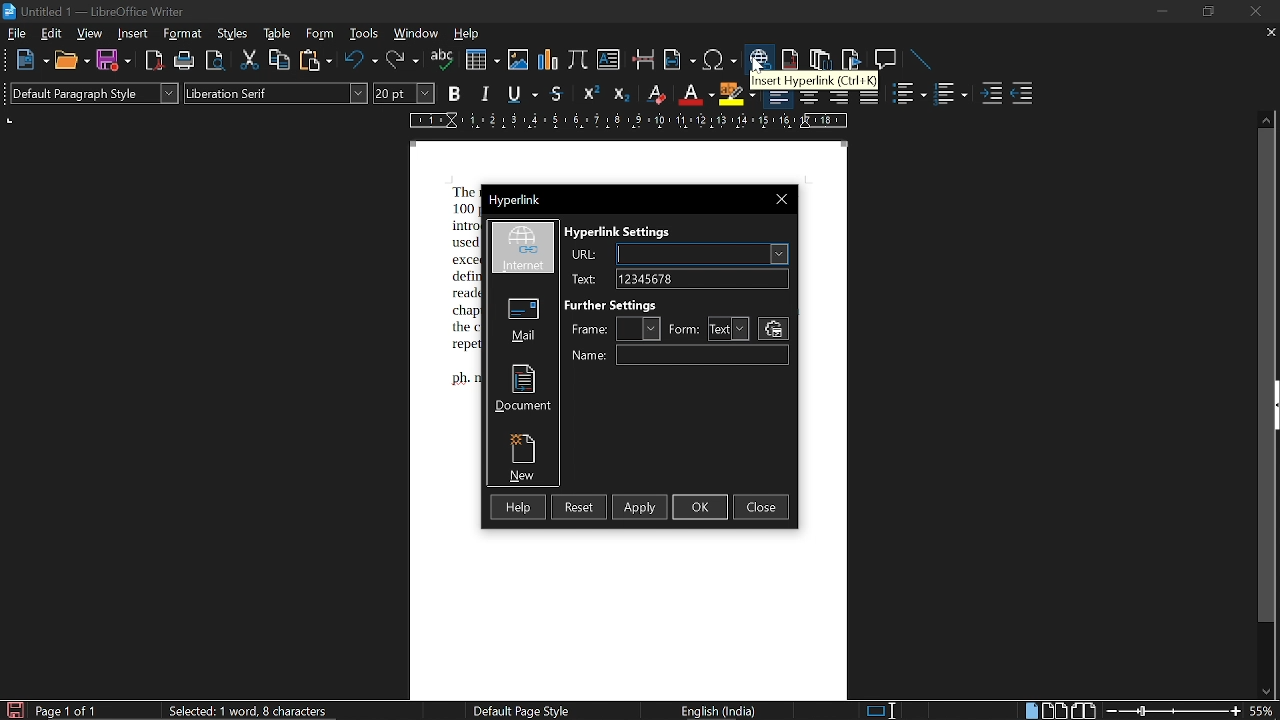  Describe the element at coordinates (130, 34) in the screenshot. I see `insert` at that location.